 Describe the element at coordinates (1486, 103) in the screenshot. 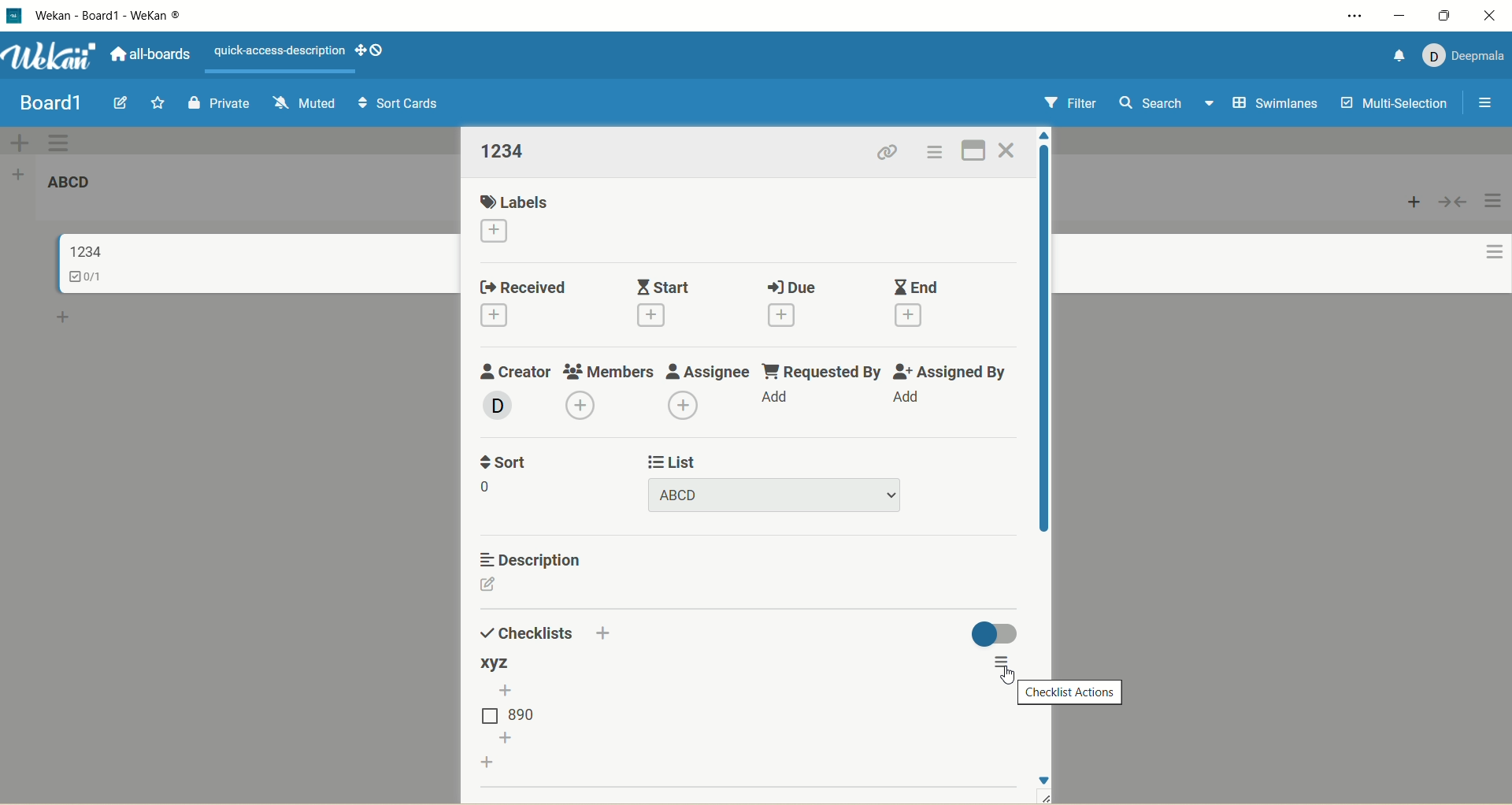

I see `open/close sidebar` at that location.